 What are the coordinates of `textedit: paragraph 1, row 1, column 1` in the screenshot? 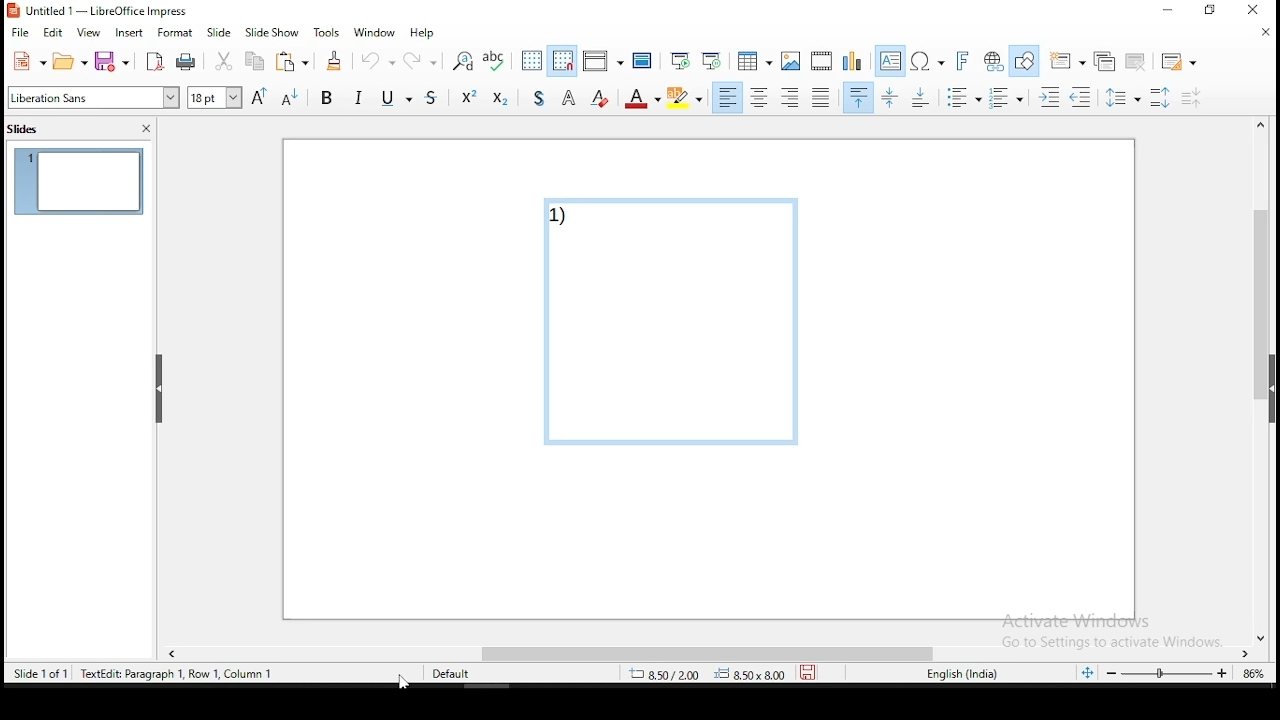 It's located at (181, 674).